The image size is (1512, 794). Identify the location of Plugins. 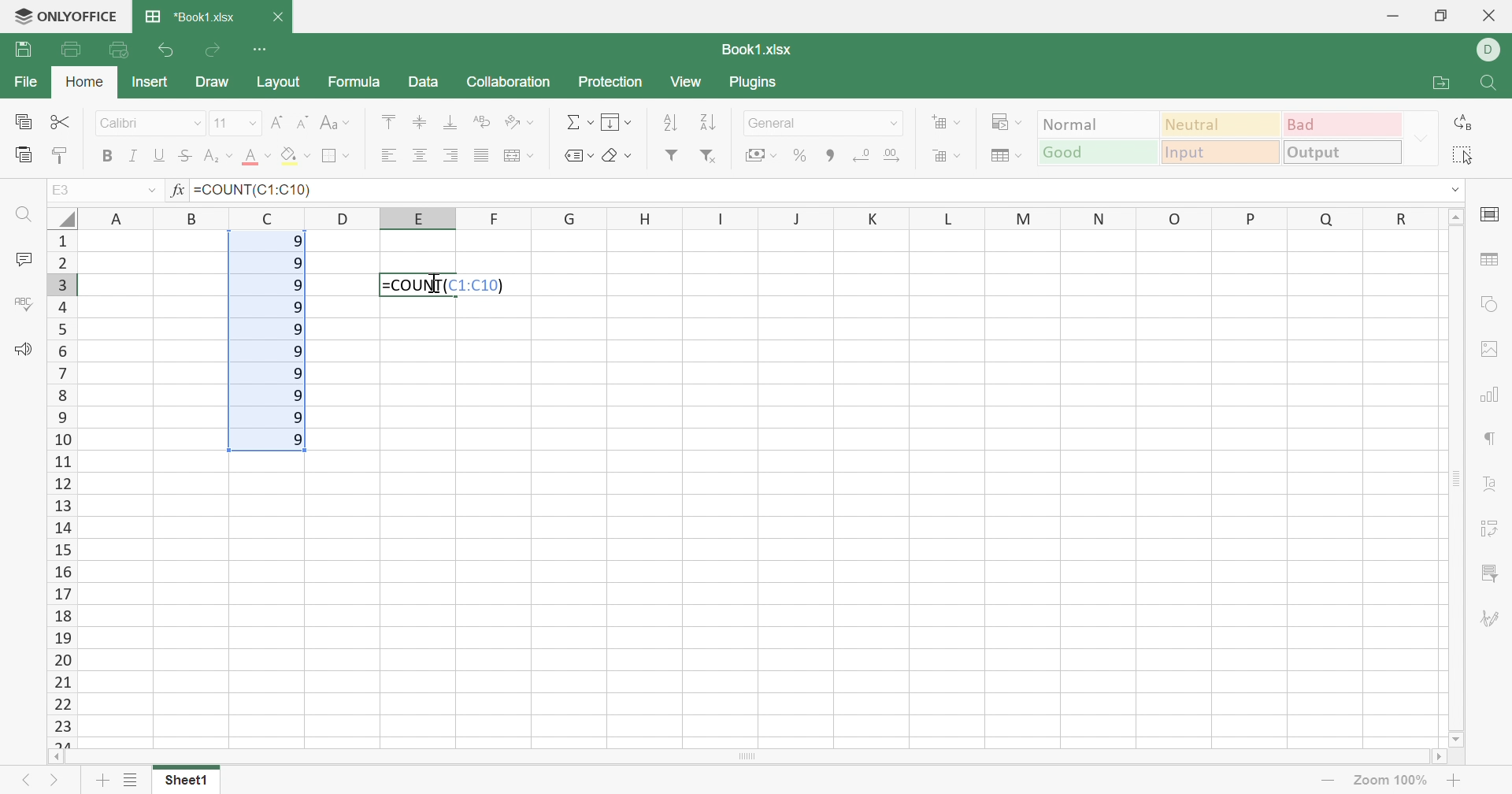
(758, 85).